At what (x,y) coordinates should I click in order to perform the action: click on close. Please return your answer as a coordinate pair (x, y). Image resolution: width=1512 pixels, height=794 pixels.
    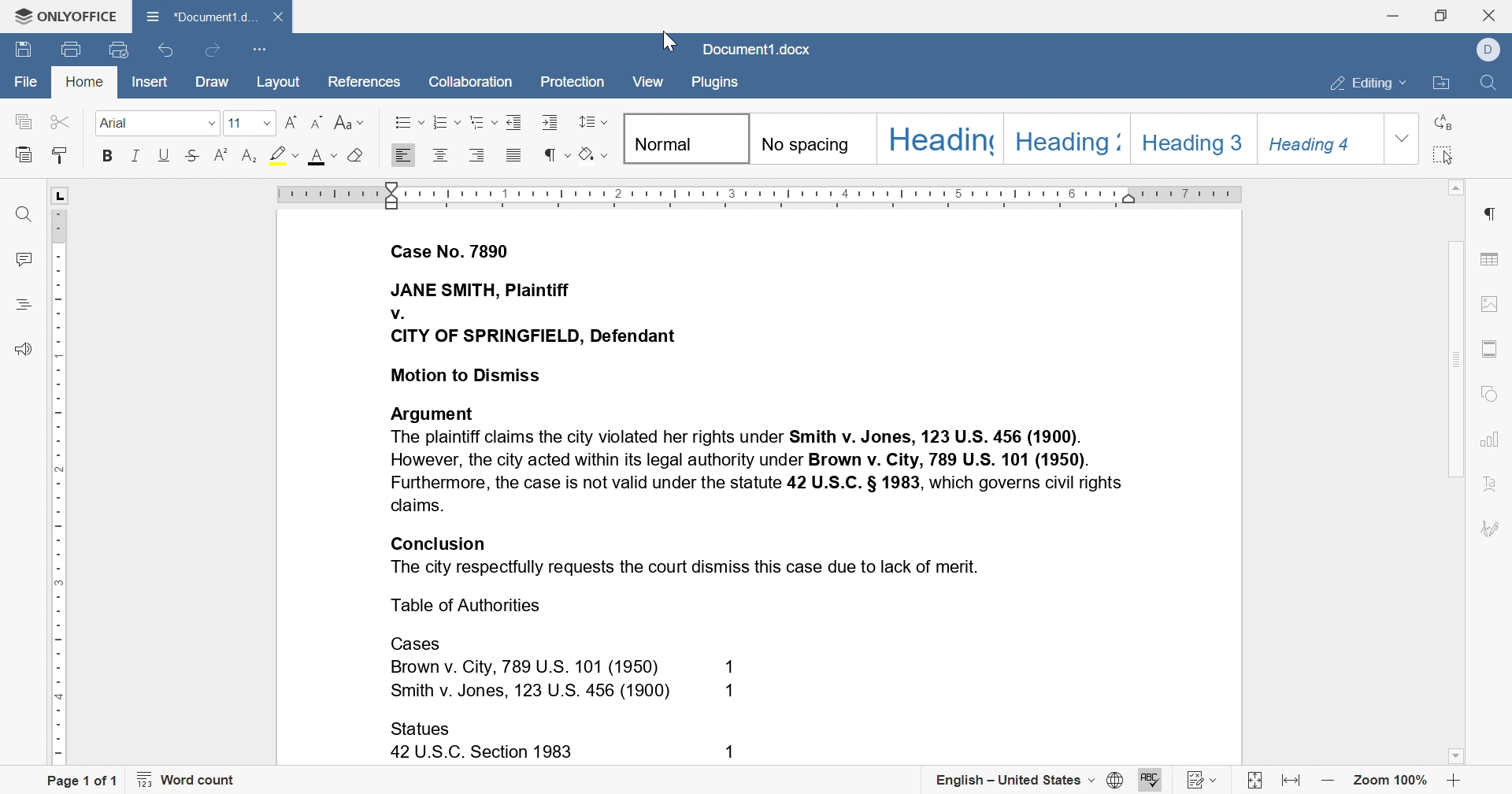
    Looking at the image, I should click on (1488, 14).